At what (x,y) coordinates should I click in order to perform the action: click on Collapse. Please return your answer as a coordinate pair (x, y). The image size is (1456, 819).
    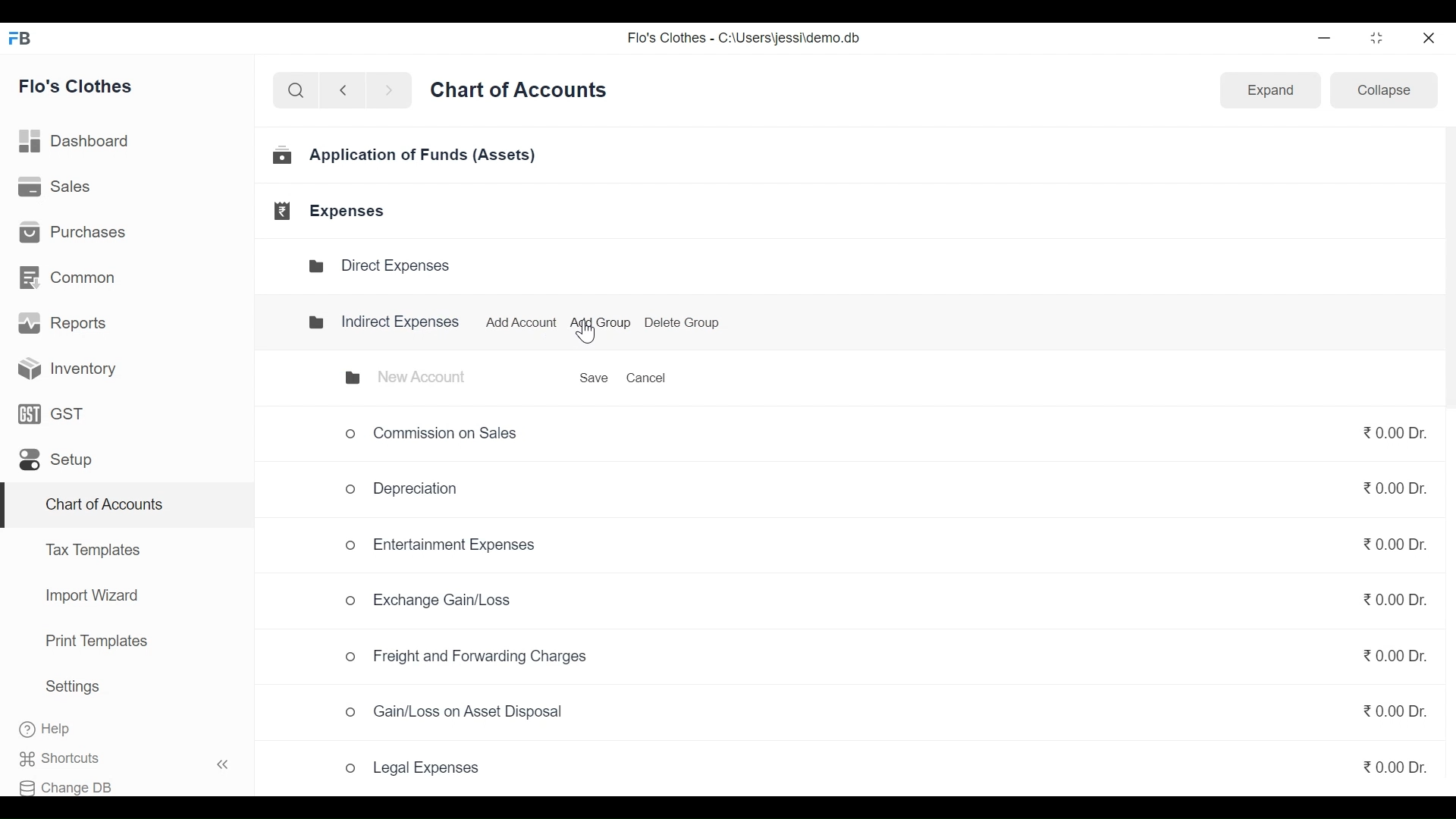
    Looking at the image, I should click on (1386, 93).